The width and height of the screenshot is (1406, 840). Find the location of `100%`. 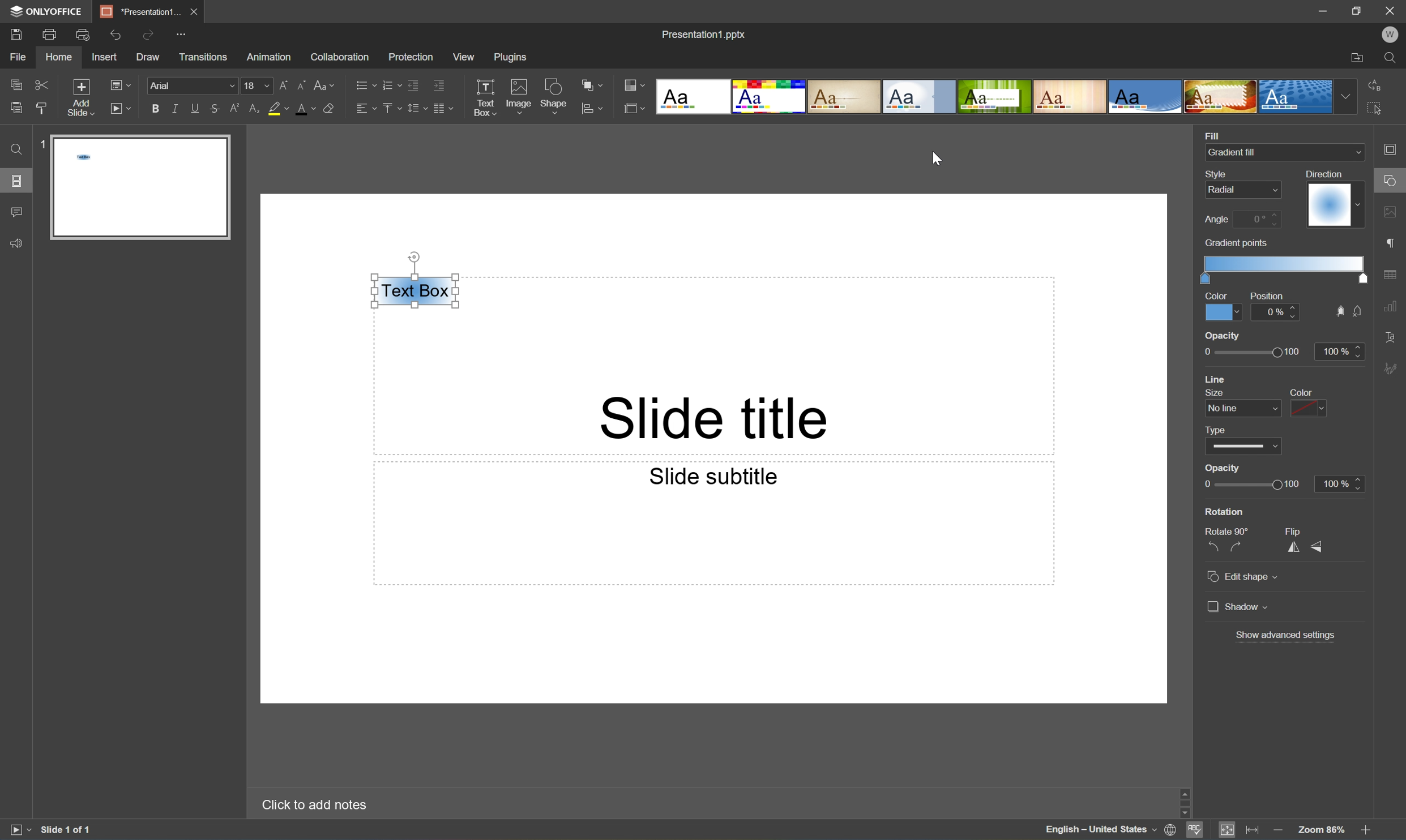

100% is located at coordinates (1339, 350).